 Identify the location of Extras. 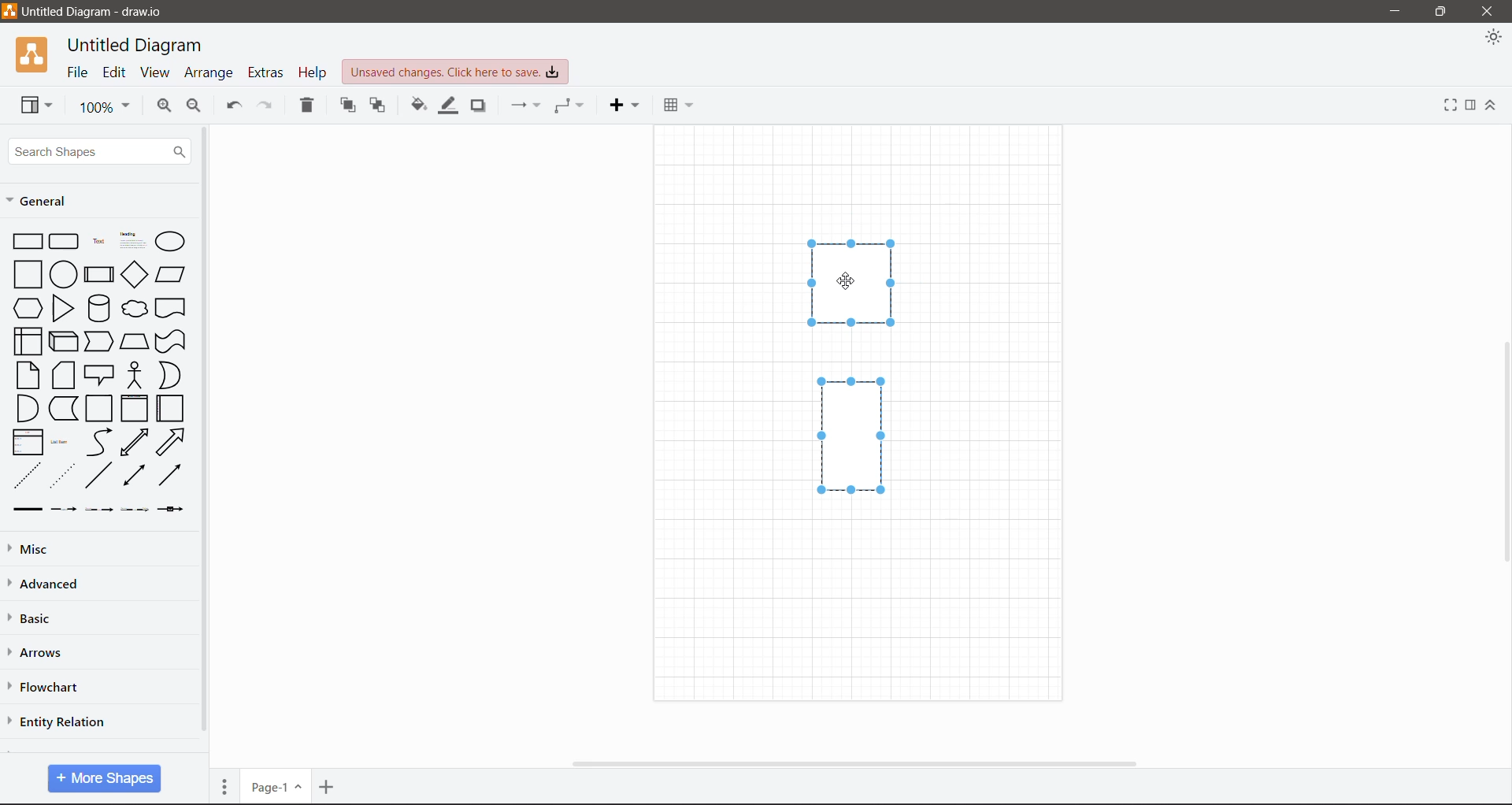
(265, 72).